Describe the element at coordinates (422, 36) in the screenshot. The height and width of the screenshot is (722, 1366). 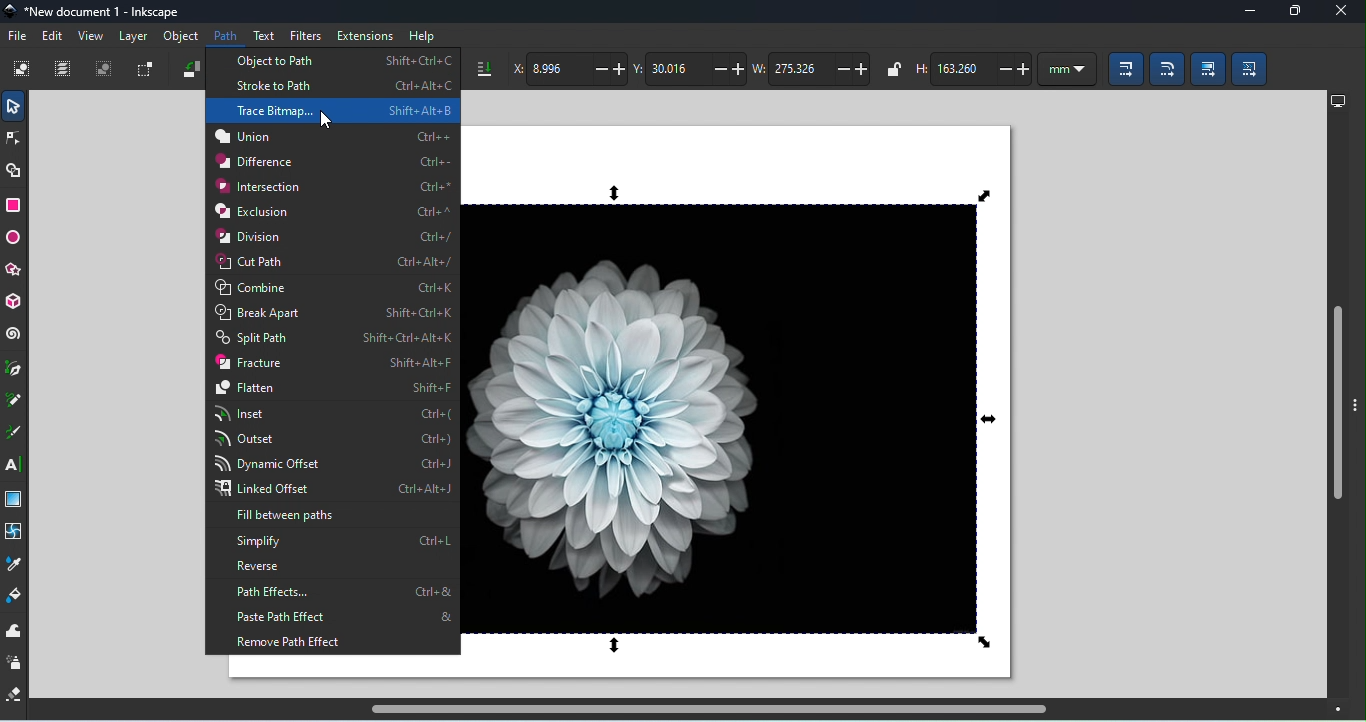
I see `Help` at that location.